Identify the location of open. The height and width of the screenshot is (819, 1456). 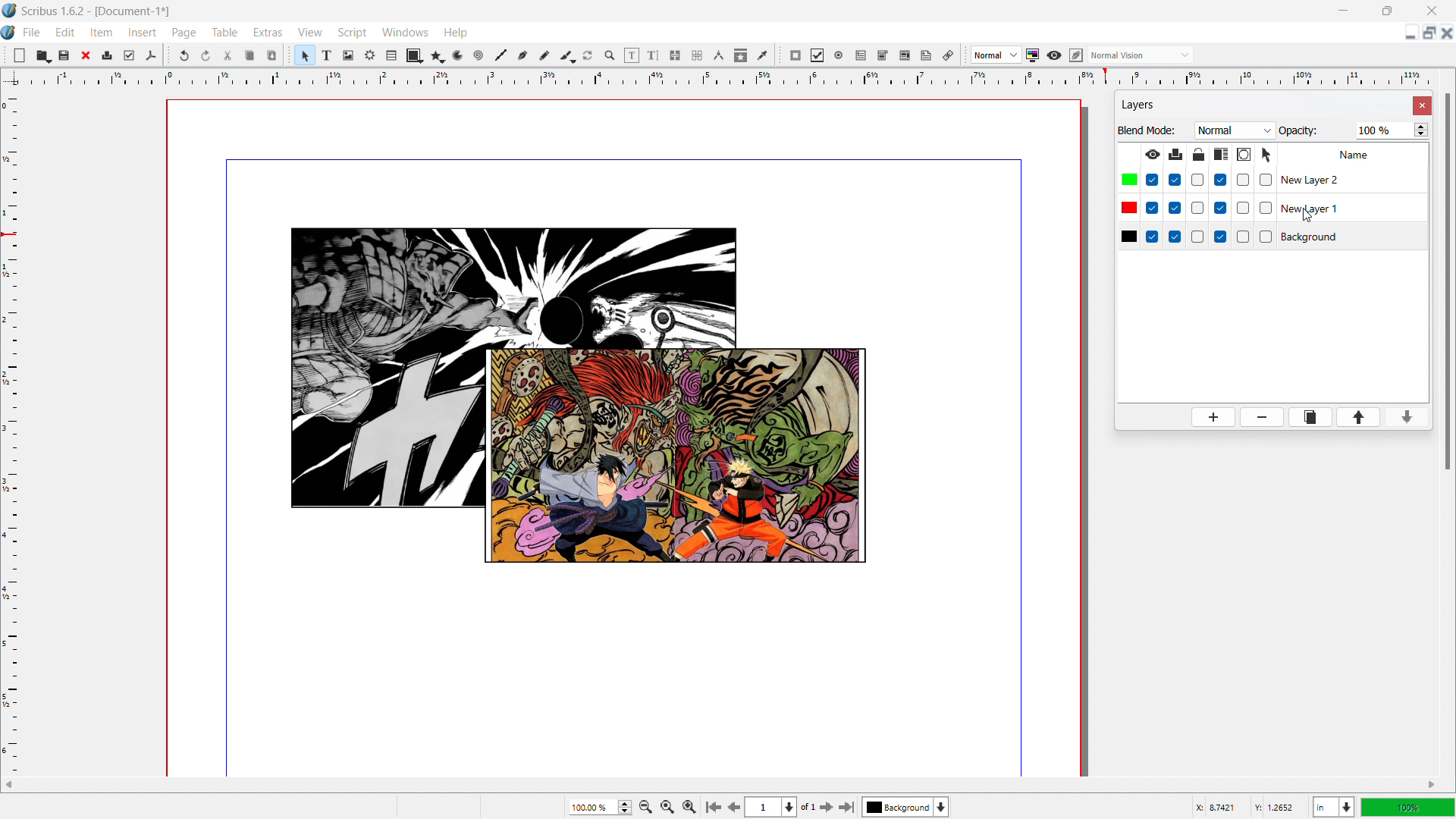
(43, 55).